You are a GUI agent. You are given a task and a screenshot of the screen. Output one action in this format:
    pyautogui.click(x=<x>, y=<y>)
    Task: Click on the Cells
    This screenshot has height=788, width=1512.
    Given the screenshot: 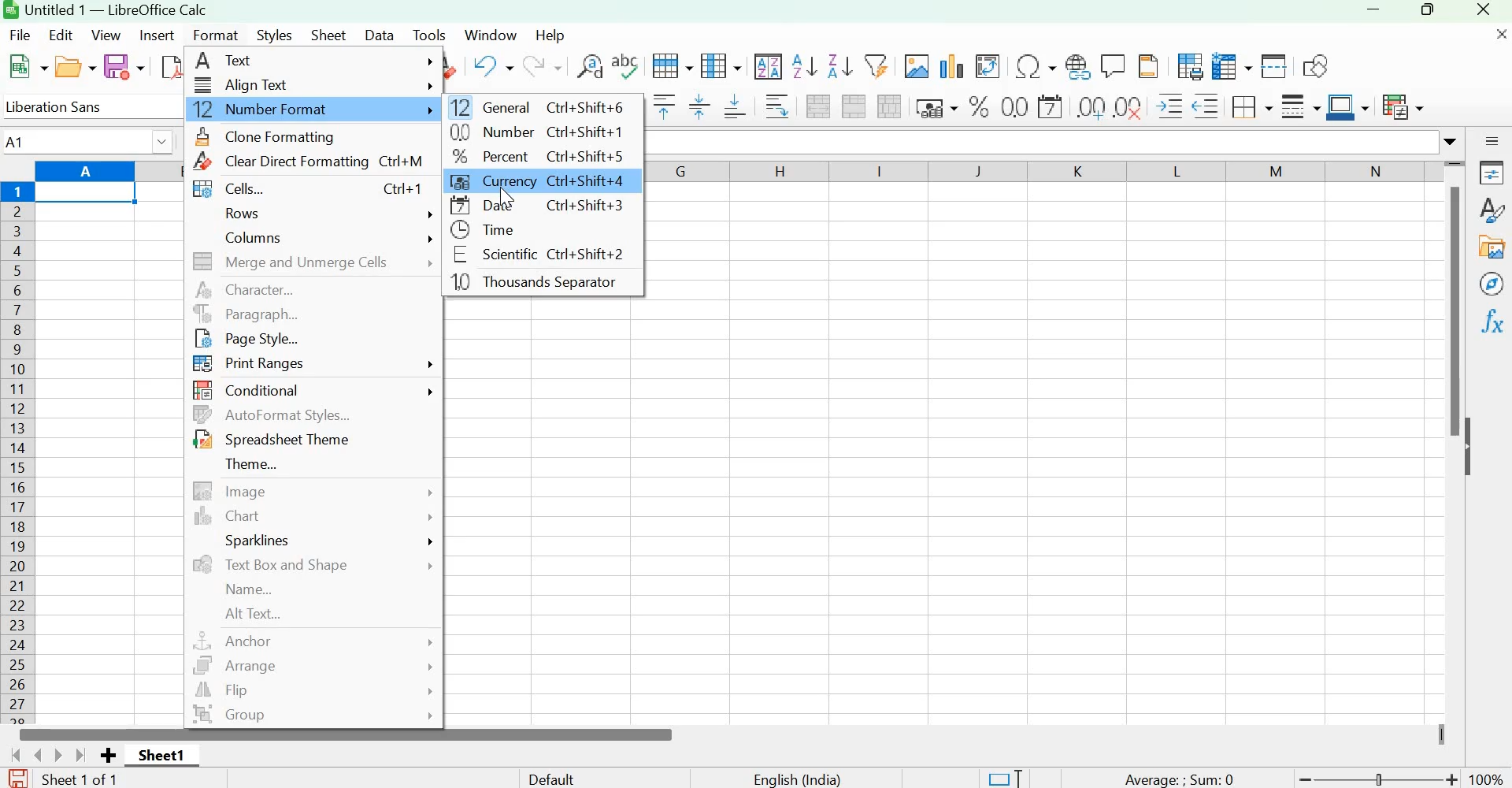 What is the action you would take?
    pyautogui.click(x=302, y=190)
    